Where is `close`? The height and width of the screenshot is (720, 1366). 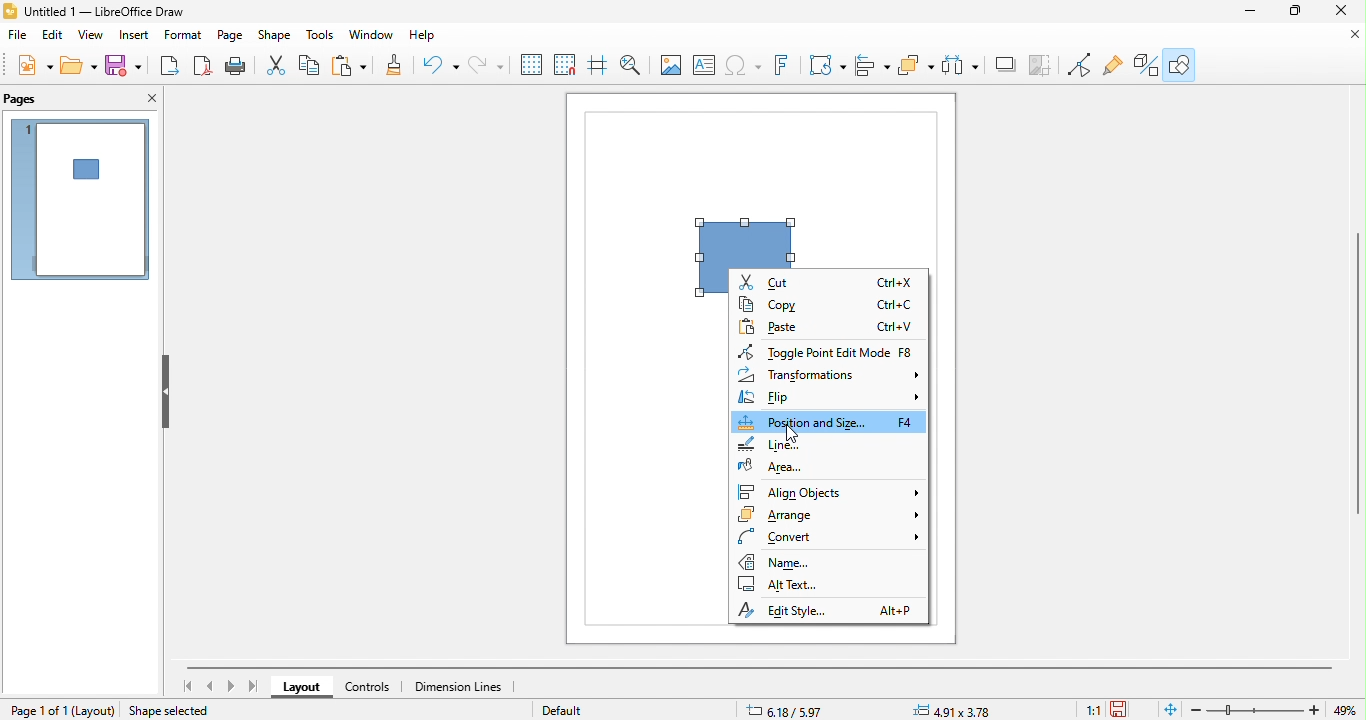 close is located at coordinates (147, 99).